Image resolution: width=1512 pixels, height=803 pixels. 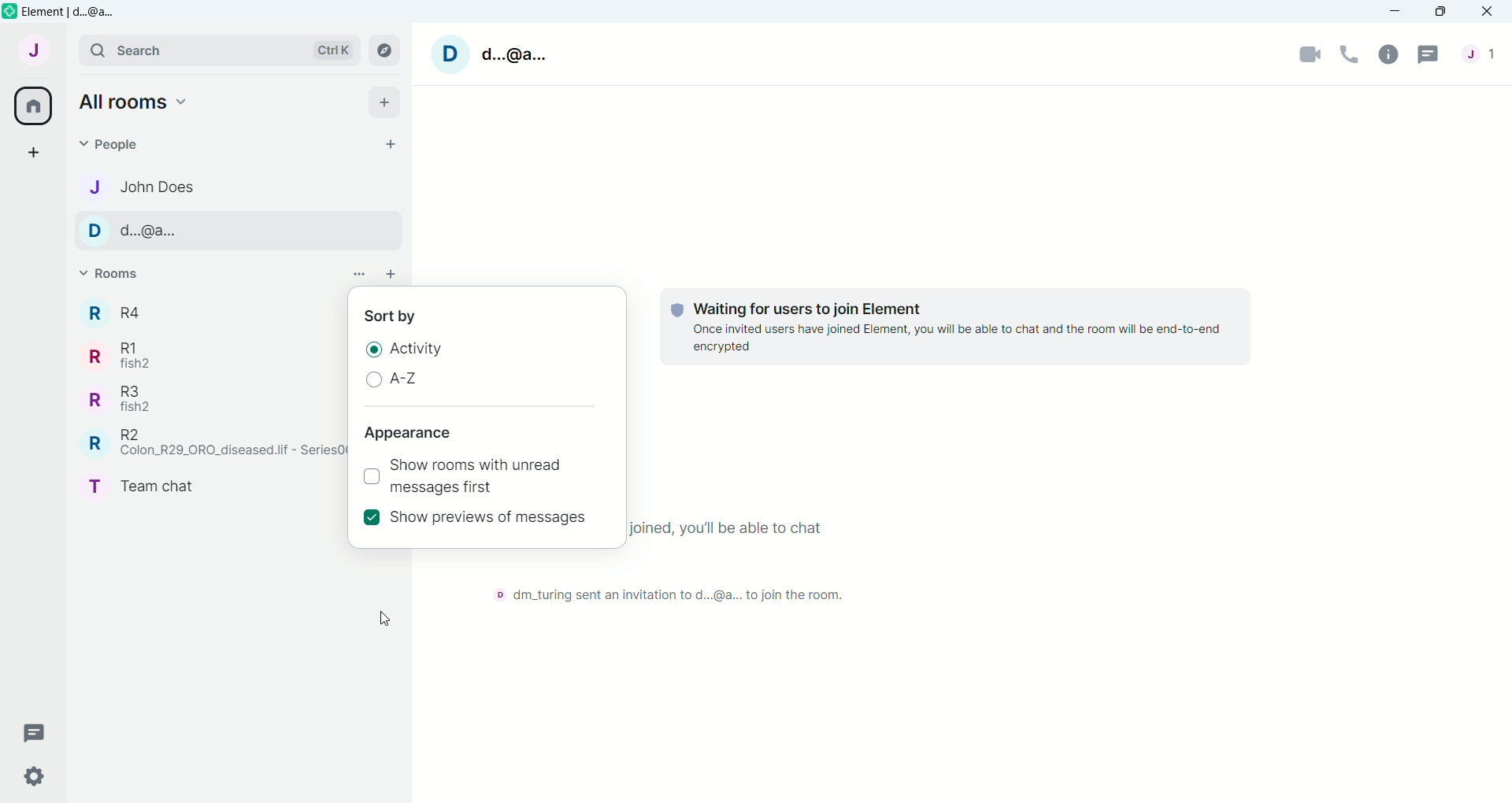 What do you see at coordinates (1393, 11) in the screenshot?
I see `Minimize` at bounding box center [1393, 11].